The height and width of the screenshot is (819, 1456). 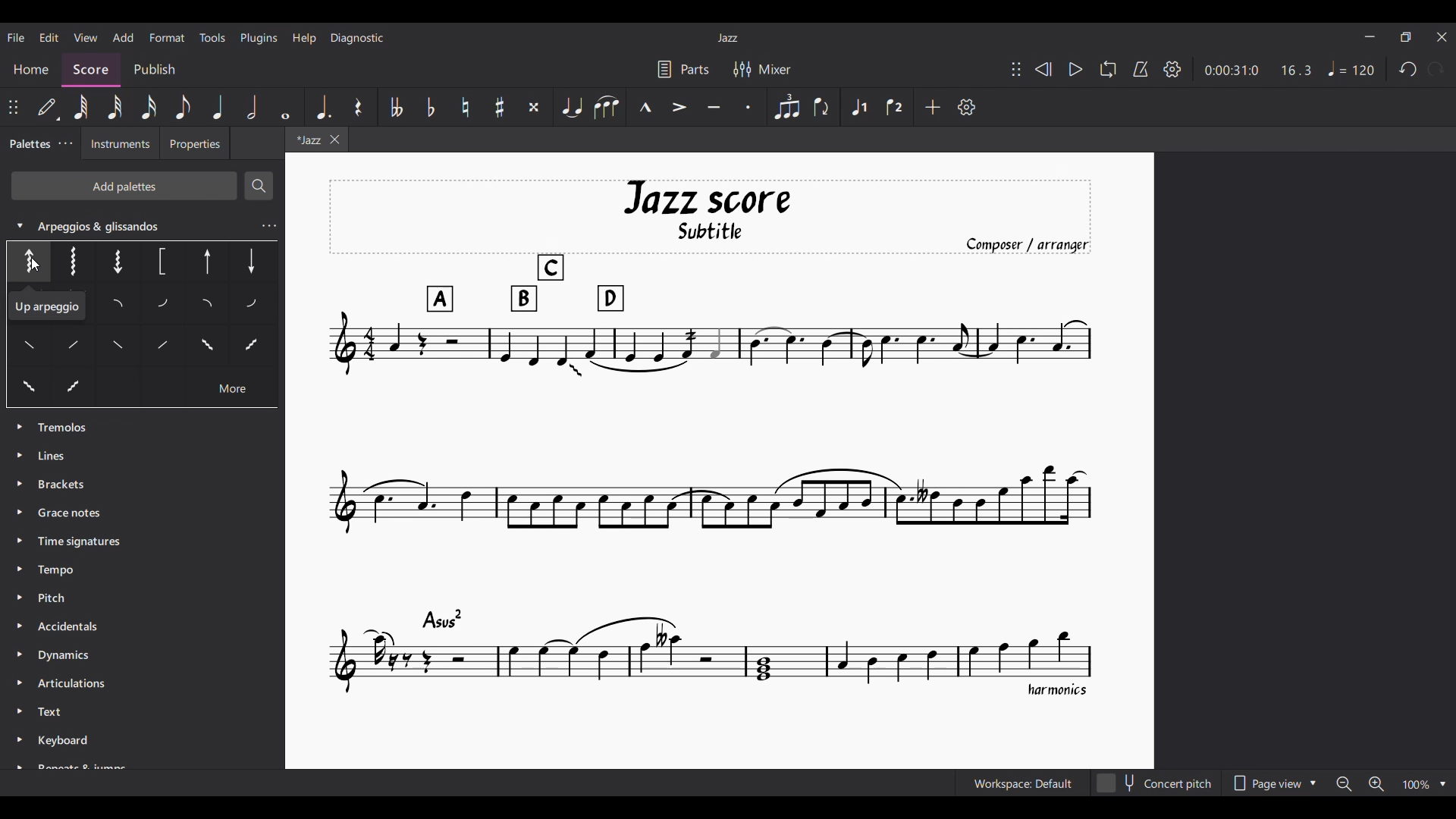 What do you see at coordinates (83, 541) in the screenshot?
I see `Time Signatures` at bounding box center [83, 541].